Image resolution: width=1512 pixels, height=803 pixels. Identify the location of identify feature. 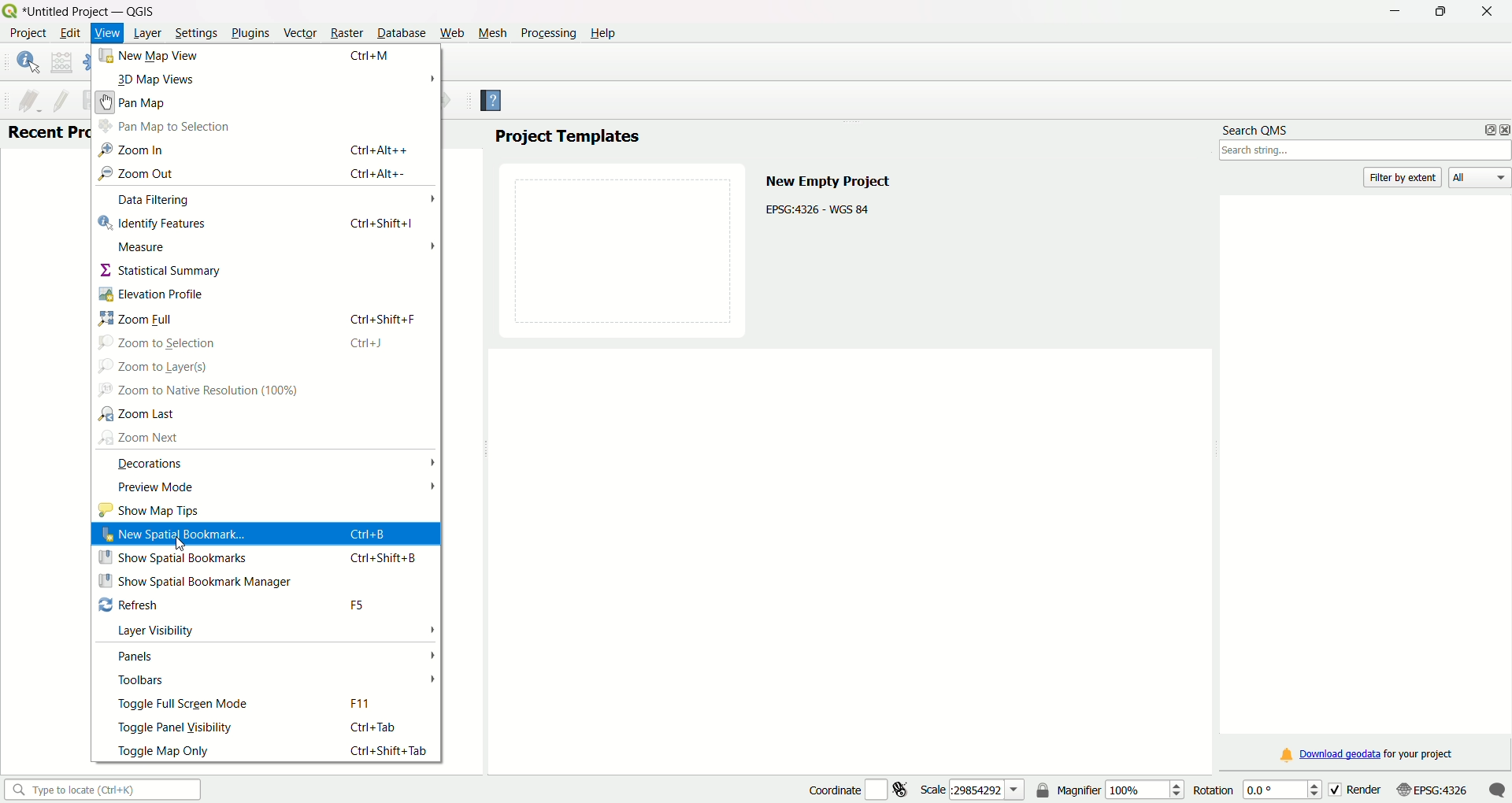
(28, 62).